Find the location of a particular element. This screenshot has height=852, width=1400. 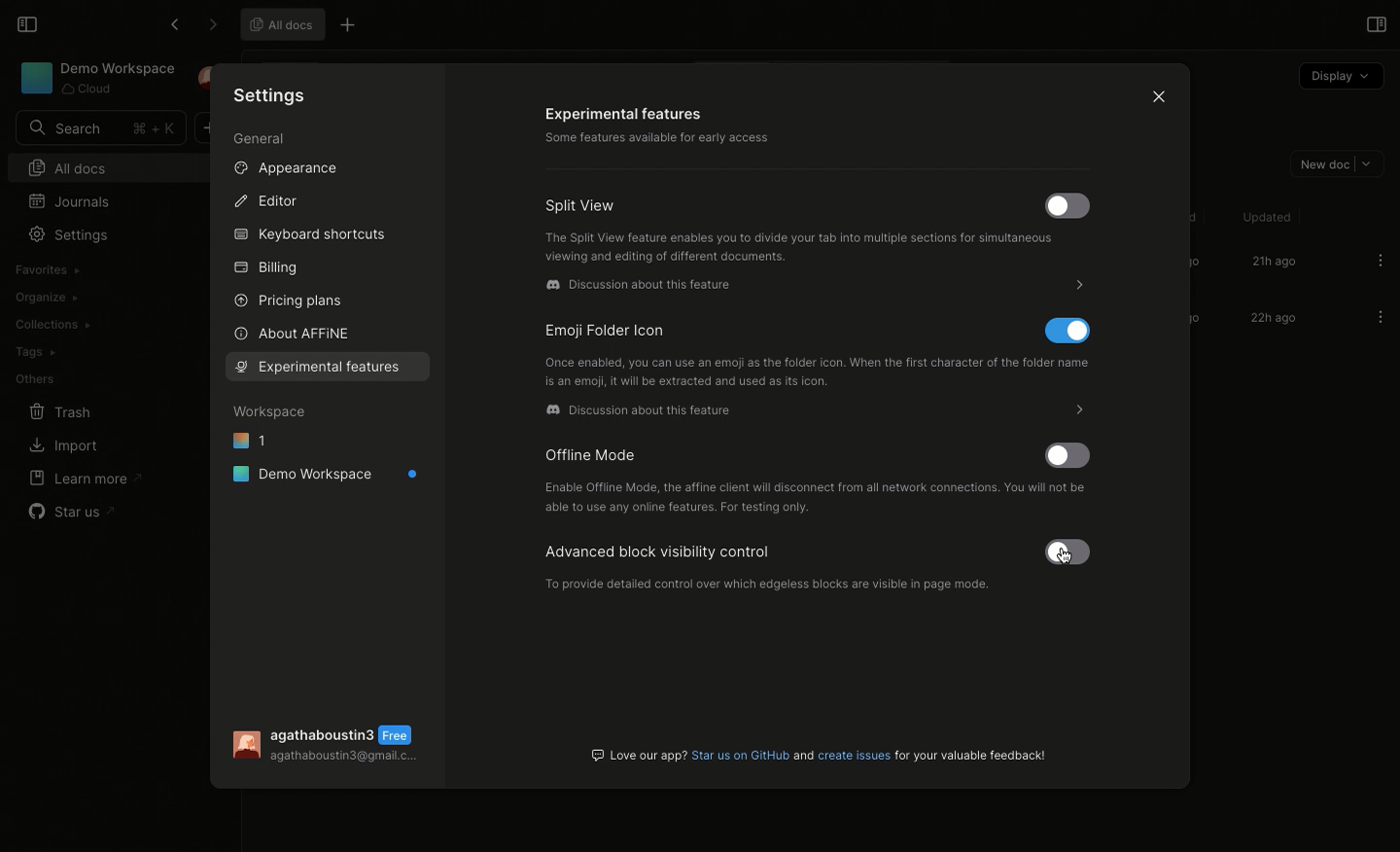

All docs is located at coordinates (94, 167).